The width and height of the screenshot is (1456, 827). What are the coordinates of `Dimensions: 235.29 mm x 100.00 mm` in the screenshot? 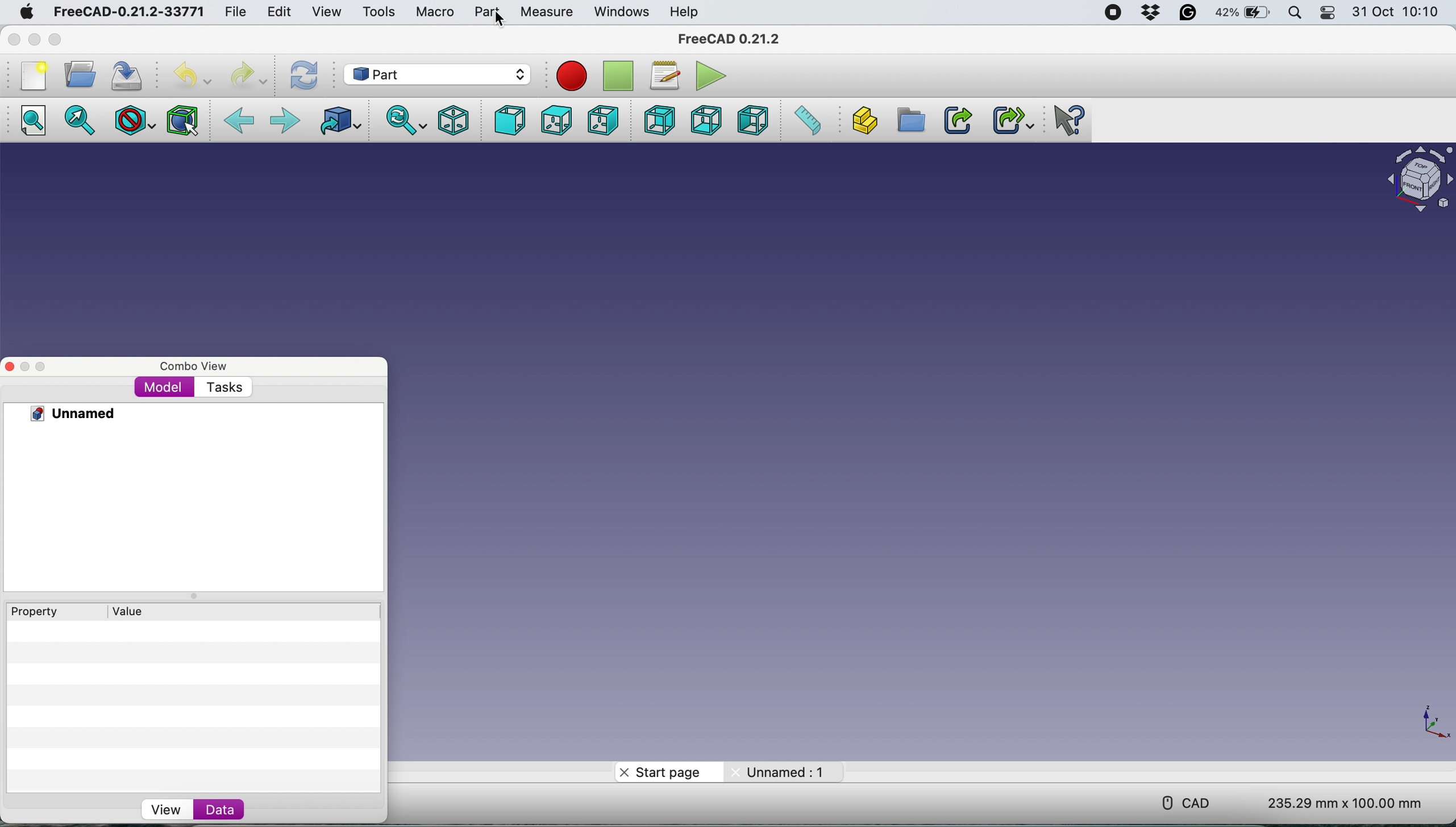 It's located at (1346, 801).